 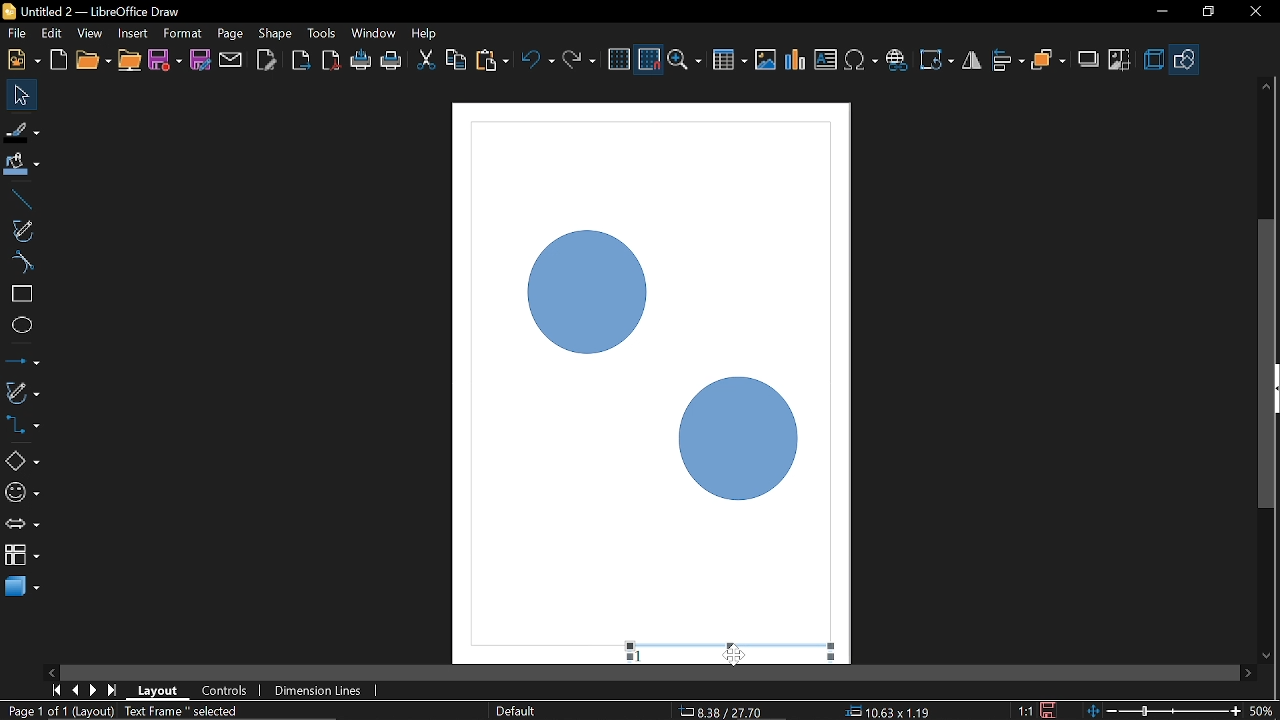 What do you see at coordinates (22, 230) in the screenshot?
I see `Free from line` at bounding box center [22, 230].